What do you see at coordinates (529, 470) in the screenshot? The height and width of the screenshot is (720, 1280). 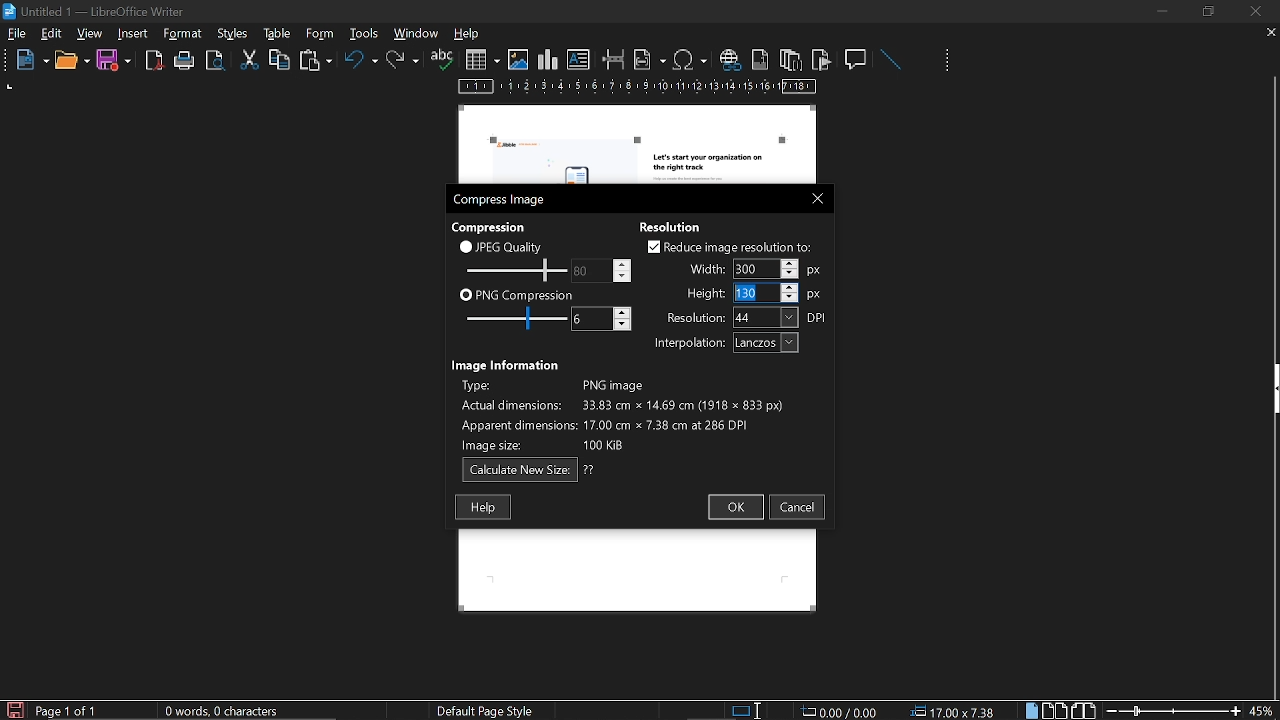 I see `calculate new size` at bounding box center [529, 470].